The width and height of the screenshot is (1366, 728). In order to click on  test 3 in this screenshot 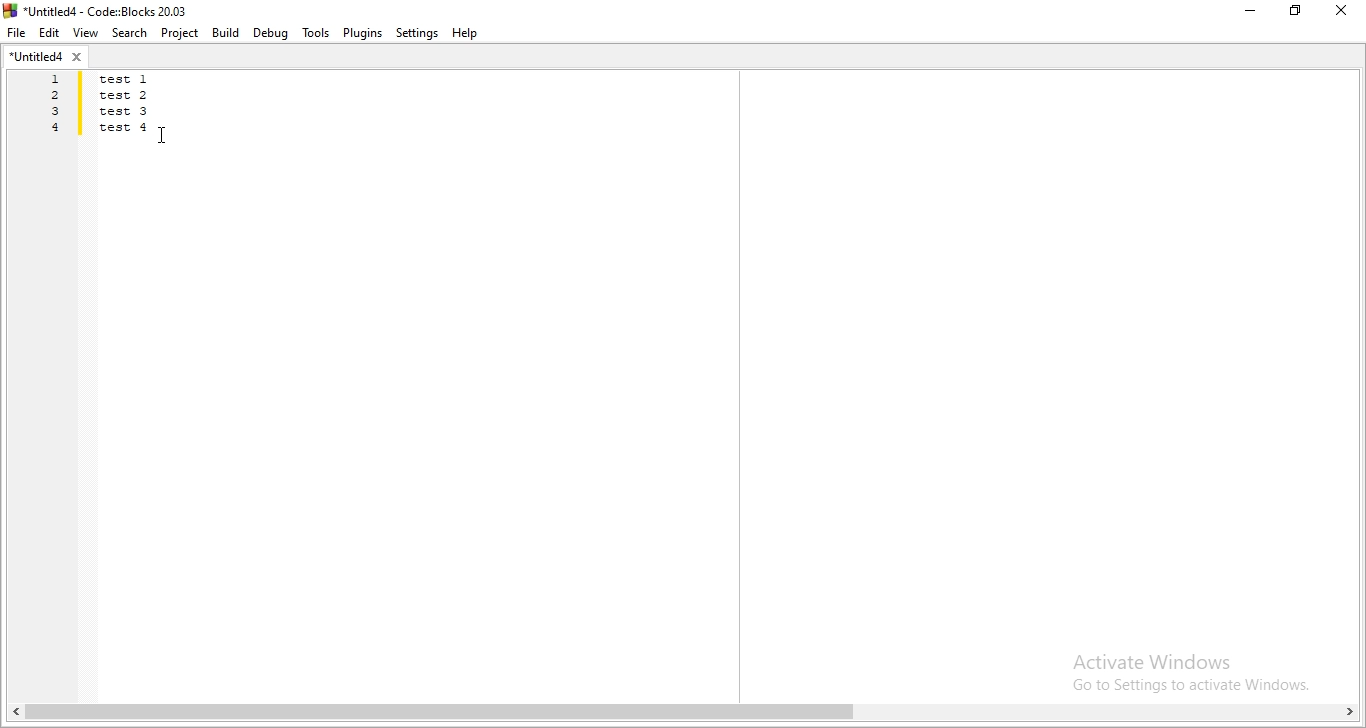, I will do `click(127, 113)`.